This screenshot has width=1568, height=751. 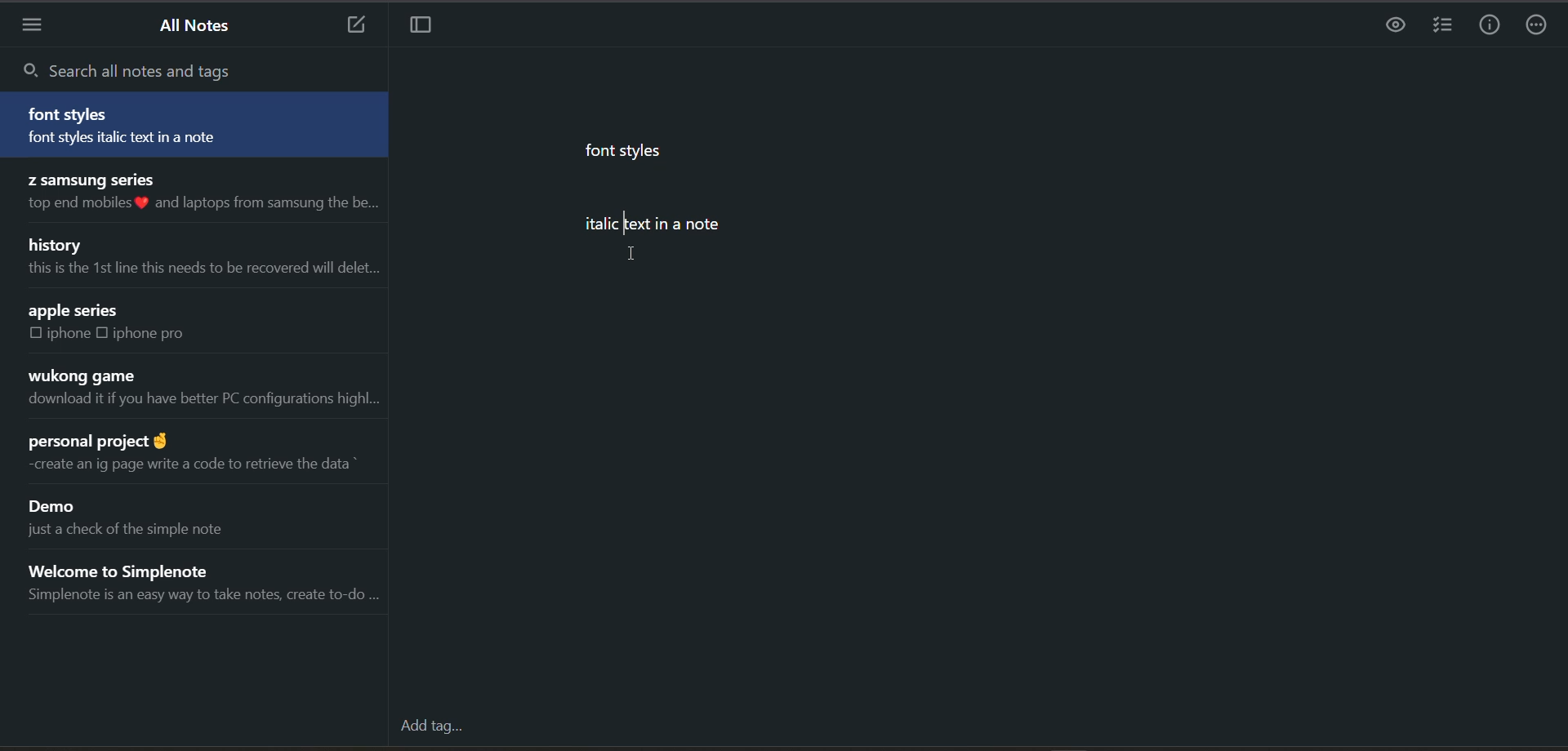 I want to click on data from current note, so click(x=719, y=202).